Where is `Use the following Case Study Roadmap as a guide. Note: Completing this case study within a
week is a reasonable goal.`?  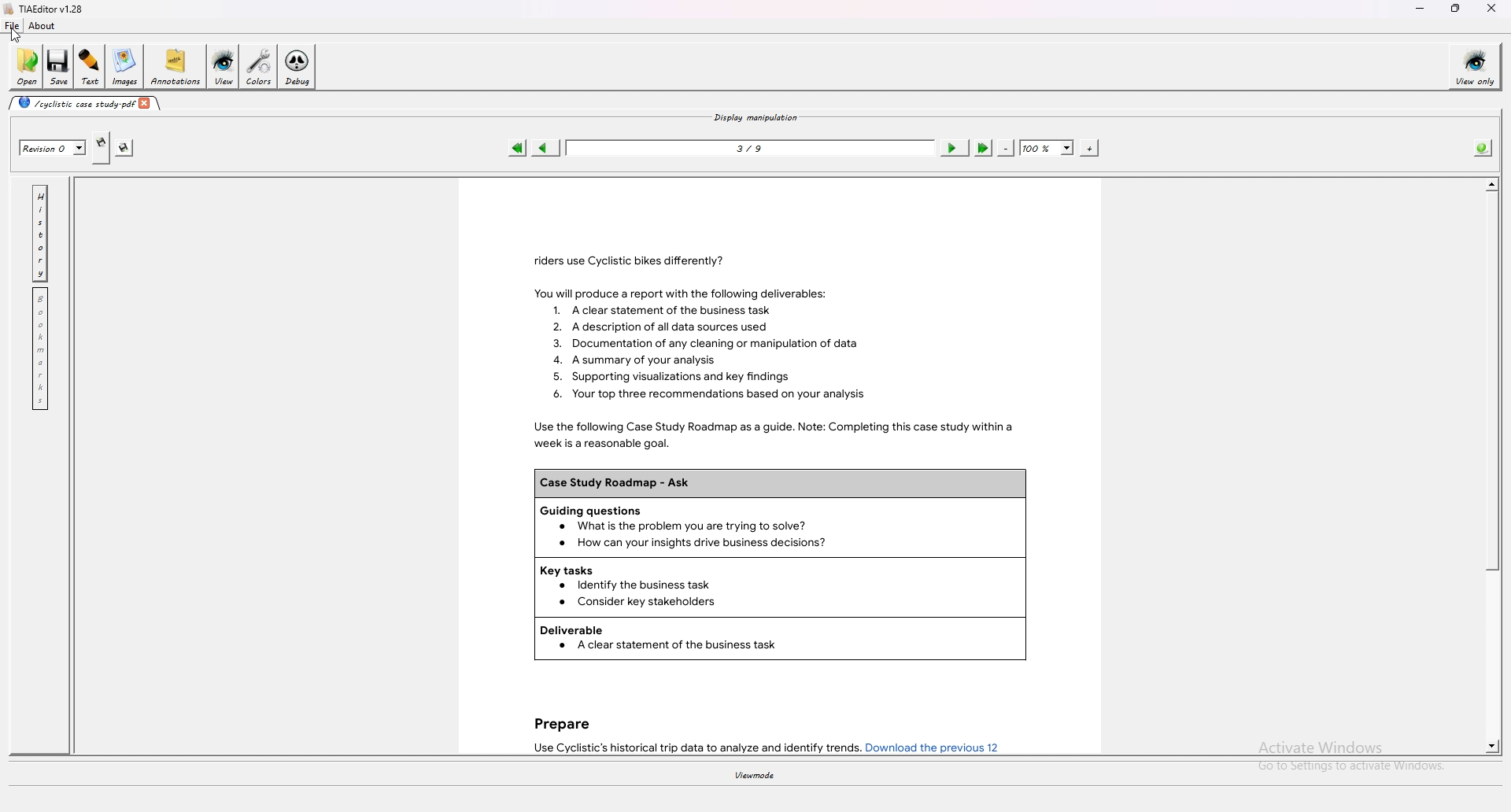 Use the following Case Study Roadmap as a guide. Note: Completing this case study within a
week is a reasonable goal. is located at coordinates (768, 435).